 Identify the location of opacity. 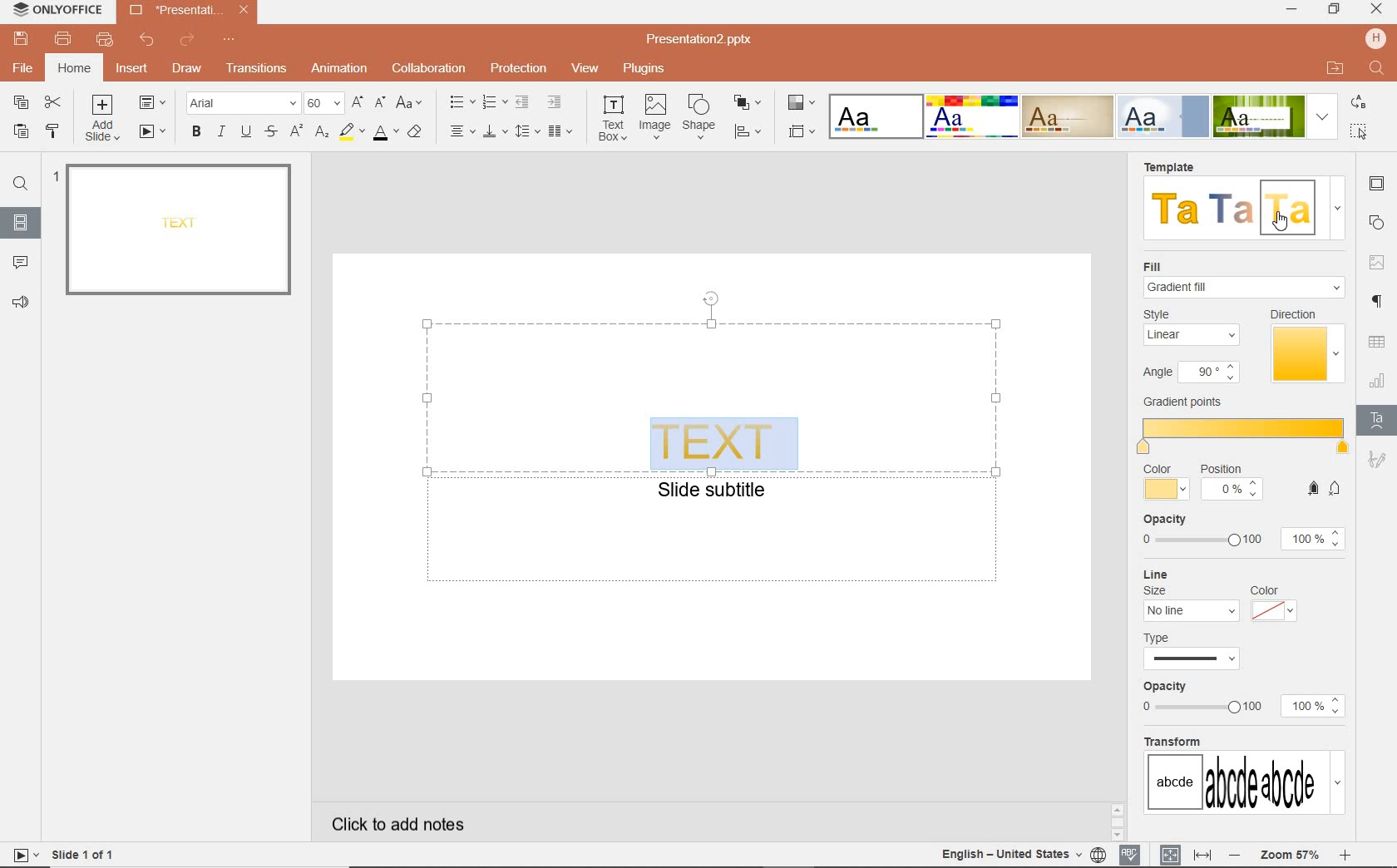
(1167, 515).